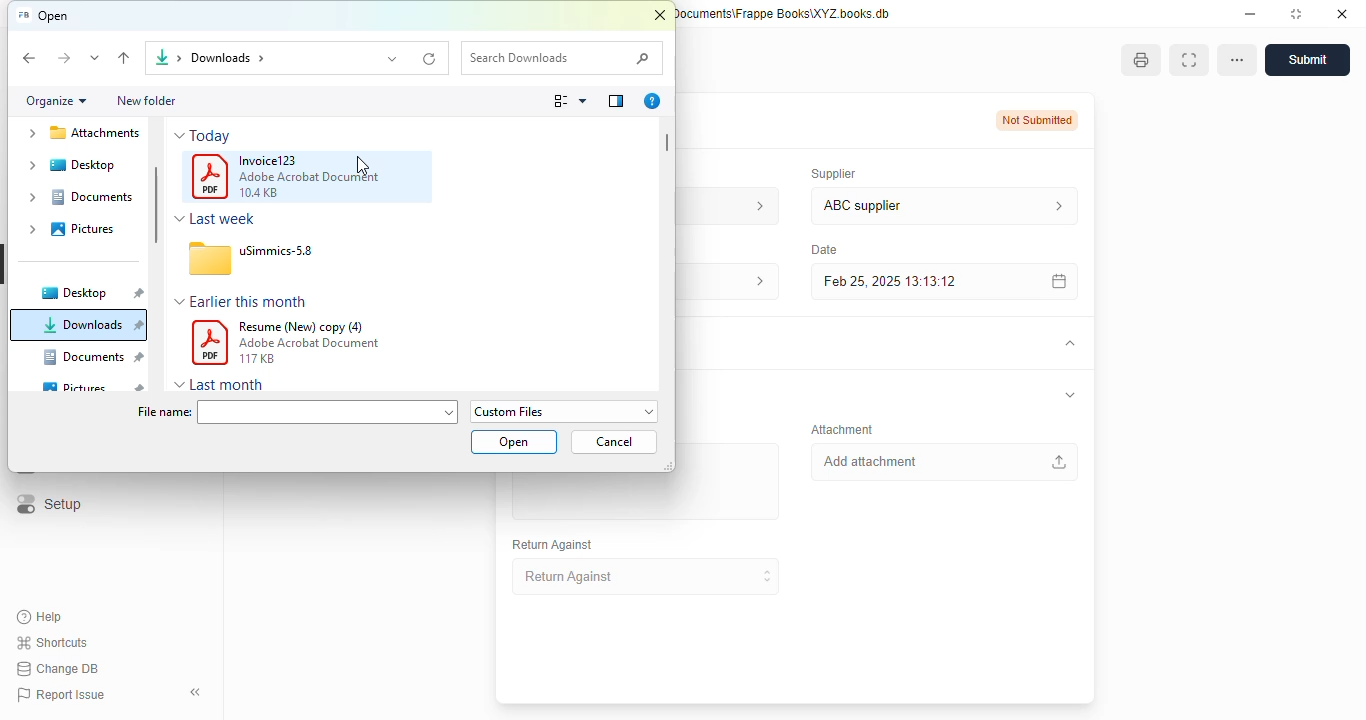 The height and width of the screenshot is (720, 1366). Describe the element at coordinates (163, 412) in the screenshot. I see `file name: ` at that location.